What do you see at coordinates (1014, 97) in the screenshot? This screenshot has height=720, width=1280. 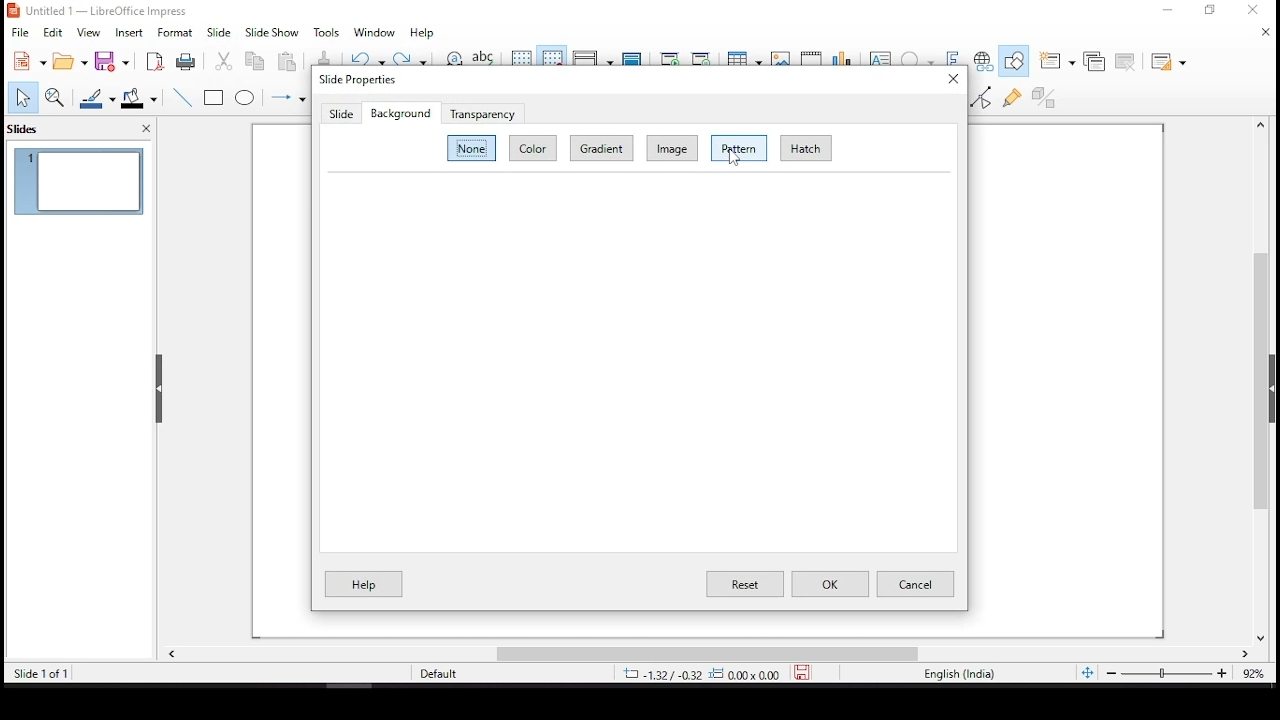 I see `show gluepoint functions` at bounding box center [1014, 97].